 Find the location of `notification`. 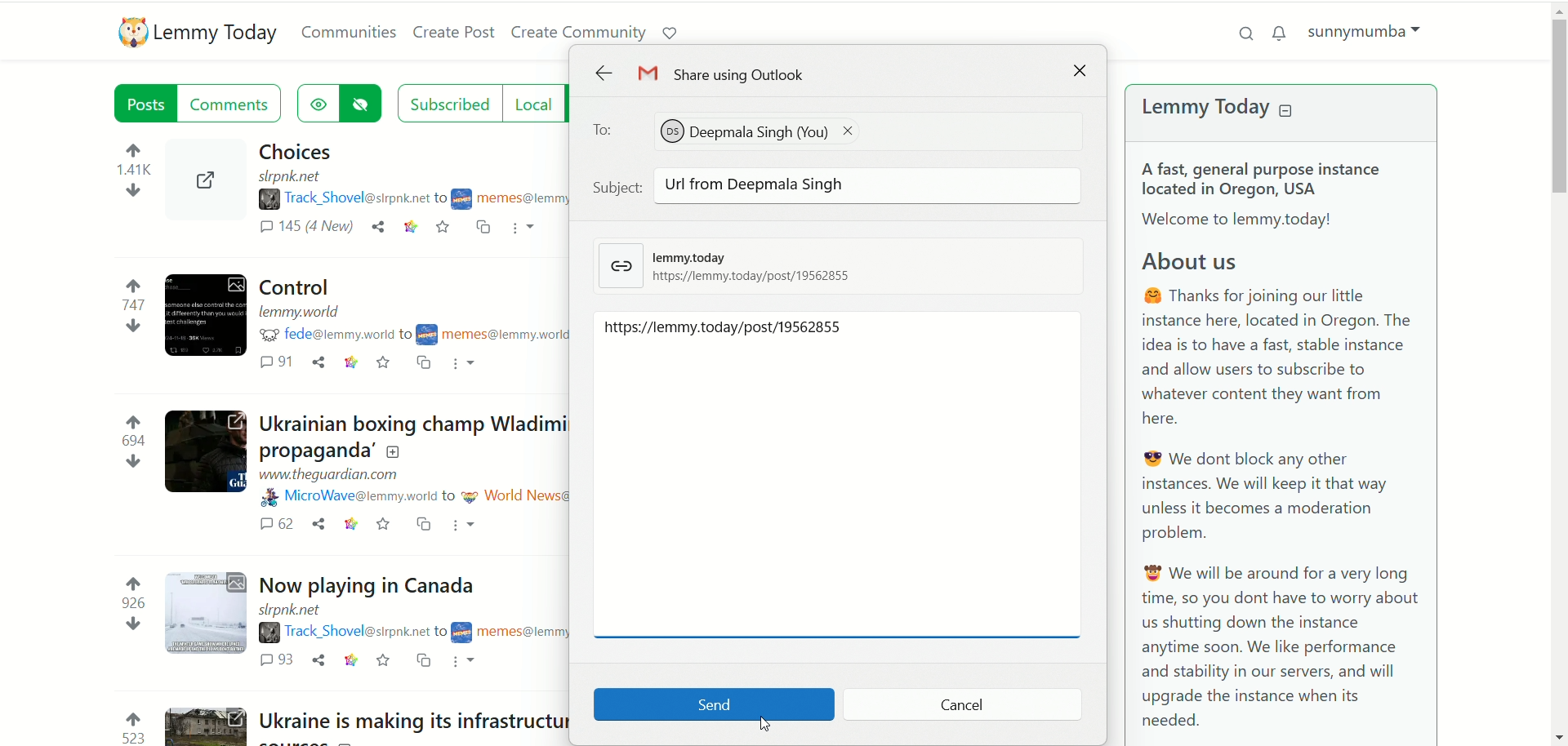

notification is located at coordinates (1282, 33).